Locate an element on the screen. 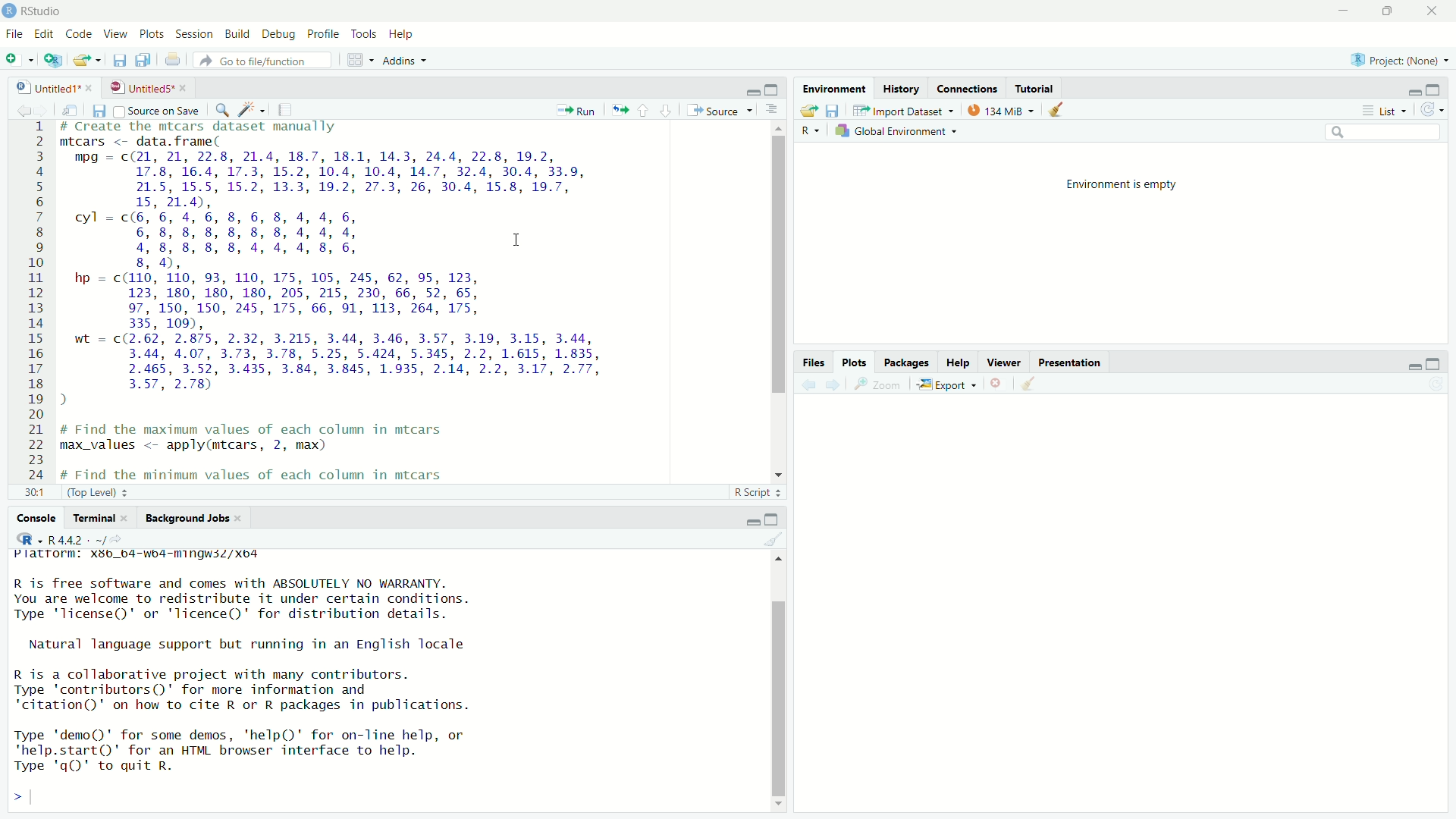 This screenshot has width=1456, height=819. R~ is located at coordinates (808, 129).